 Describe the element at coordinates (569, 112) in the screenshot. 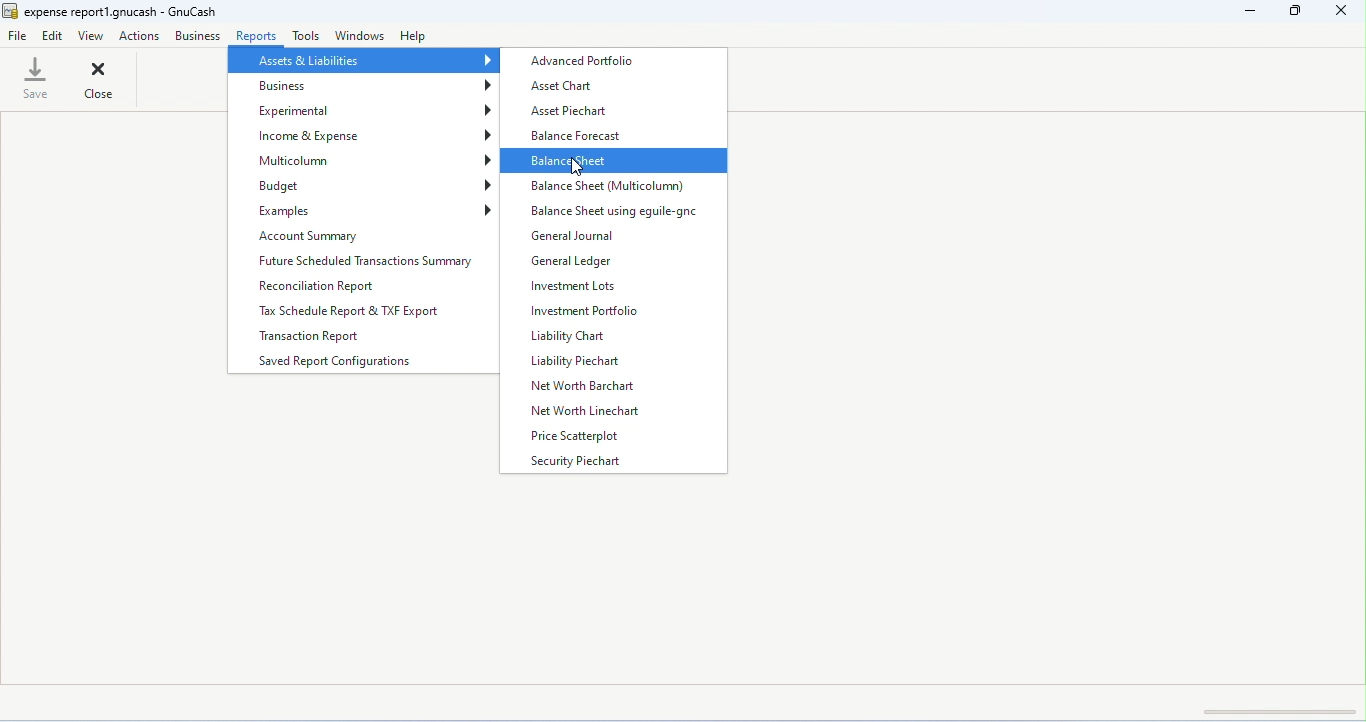

I see `asset piechart` at that location.